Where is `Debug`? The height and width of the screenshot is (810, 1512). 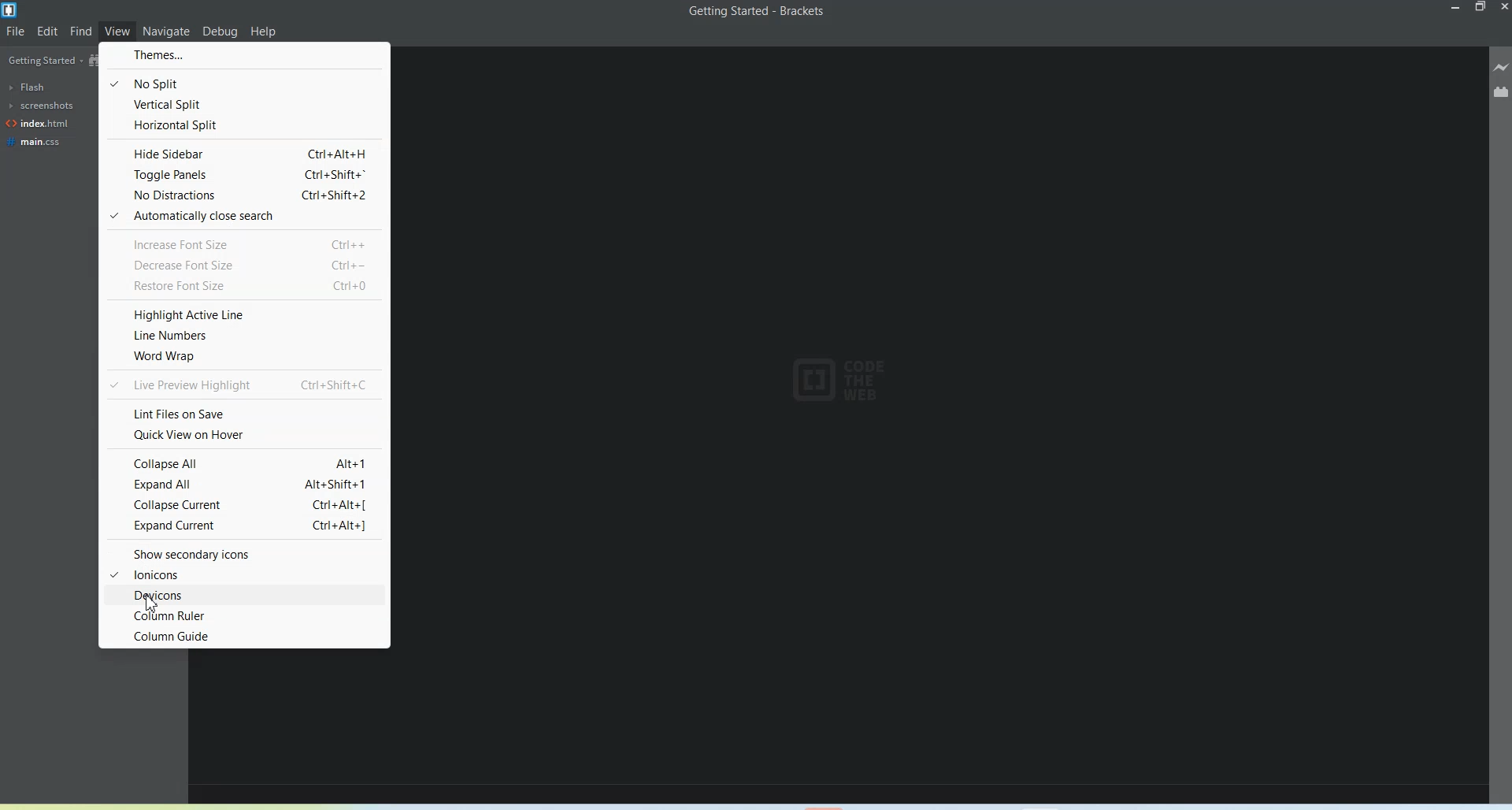
Debug is located at coordinates (220, 32).